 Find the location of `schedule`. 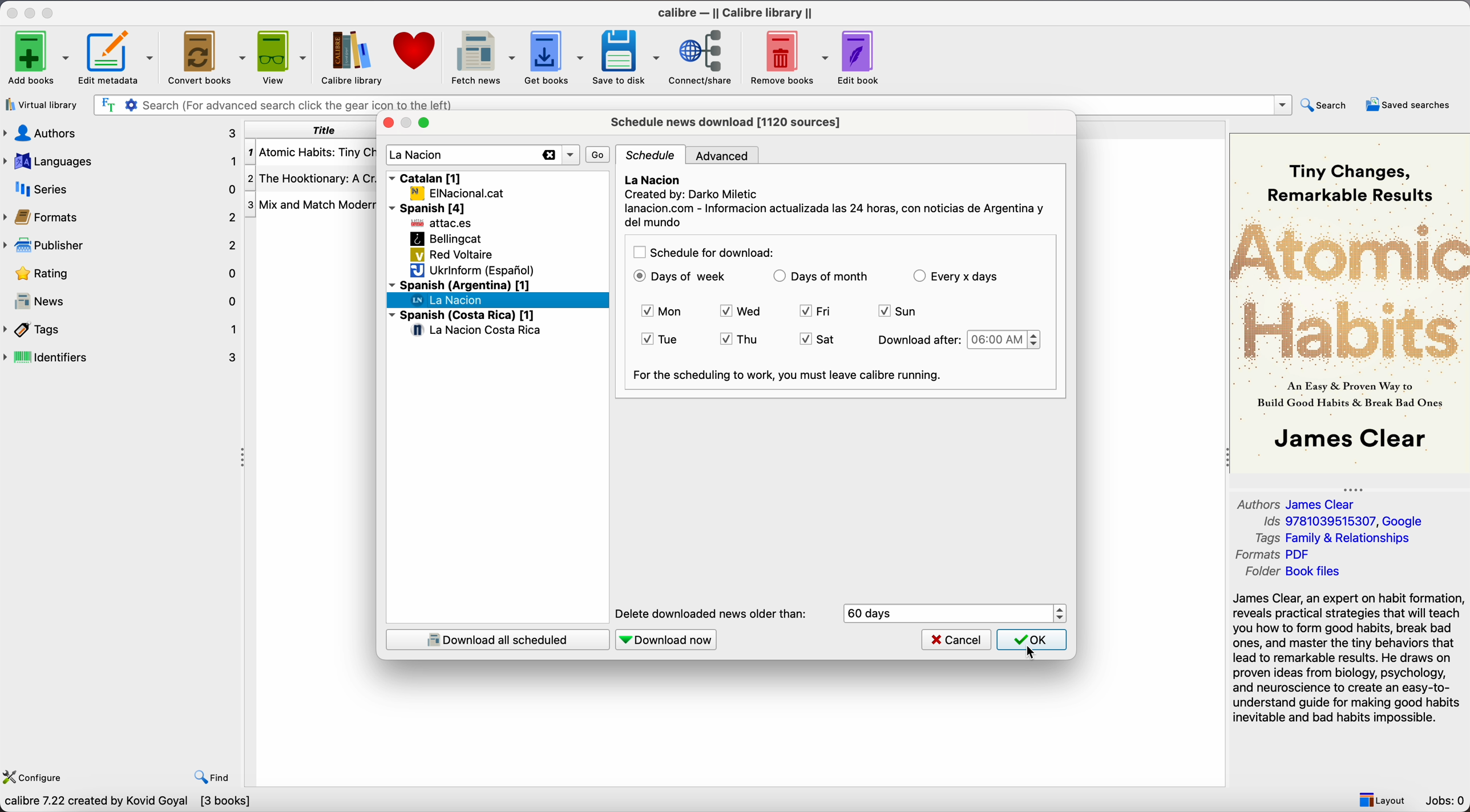

schedule is located at coordinates (652, 155).